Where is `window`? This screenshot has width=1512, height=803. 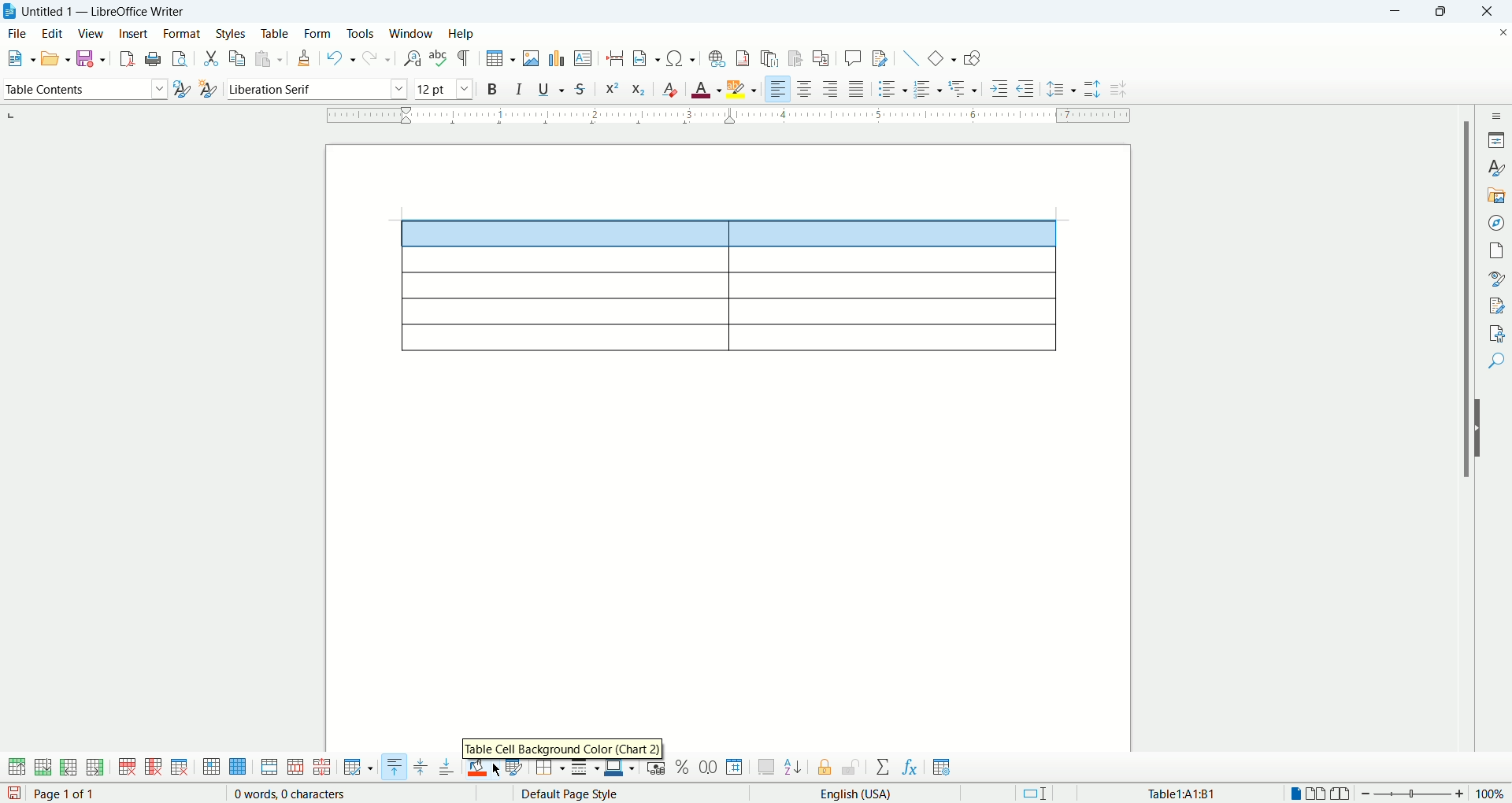
window is located at coordinates (413, 33).